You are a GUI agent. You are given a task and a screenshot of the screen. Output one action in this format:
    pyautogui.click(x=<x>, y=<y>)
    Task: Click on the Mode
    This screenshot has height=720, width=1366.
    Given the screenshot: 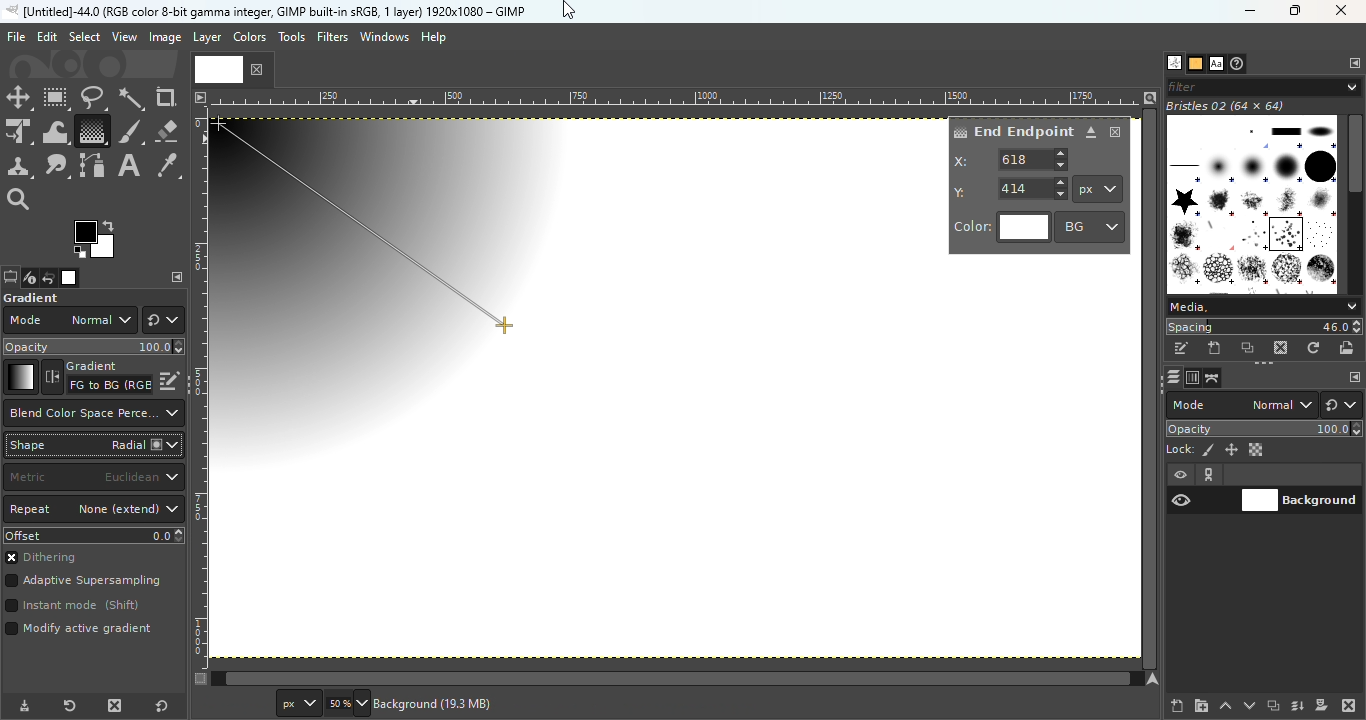 What is the action you would take?
    pyautogui.click(x=69, y=320)
    